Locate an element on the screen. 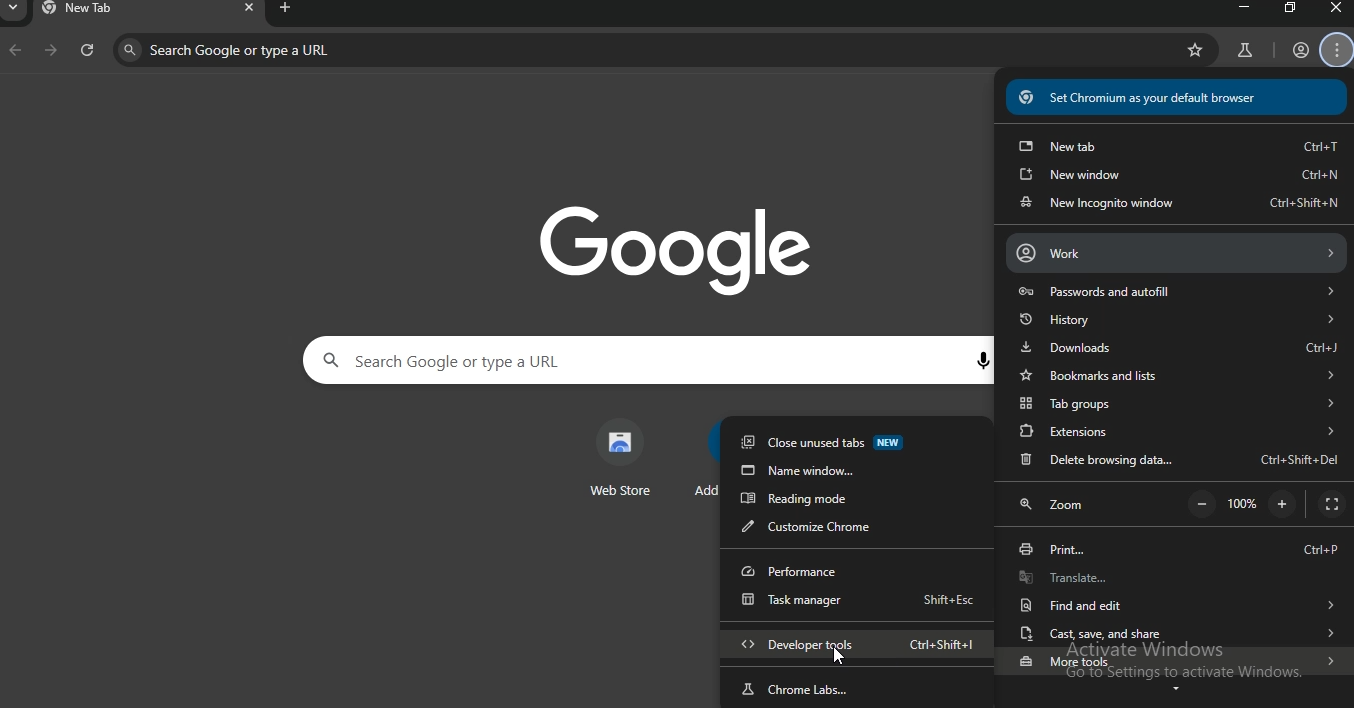 This screenshot has width=1354, height=708. search tab is located at coordinates (15, 9).